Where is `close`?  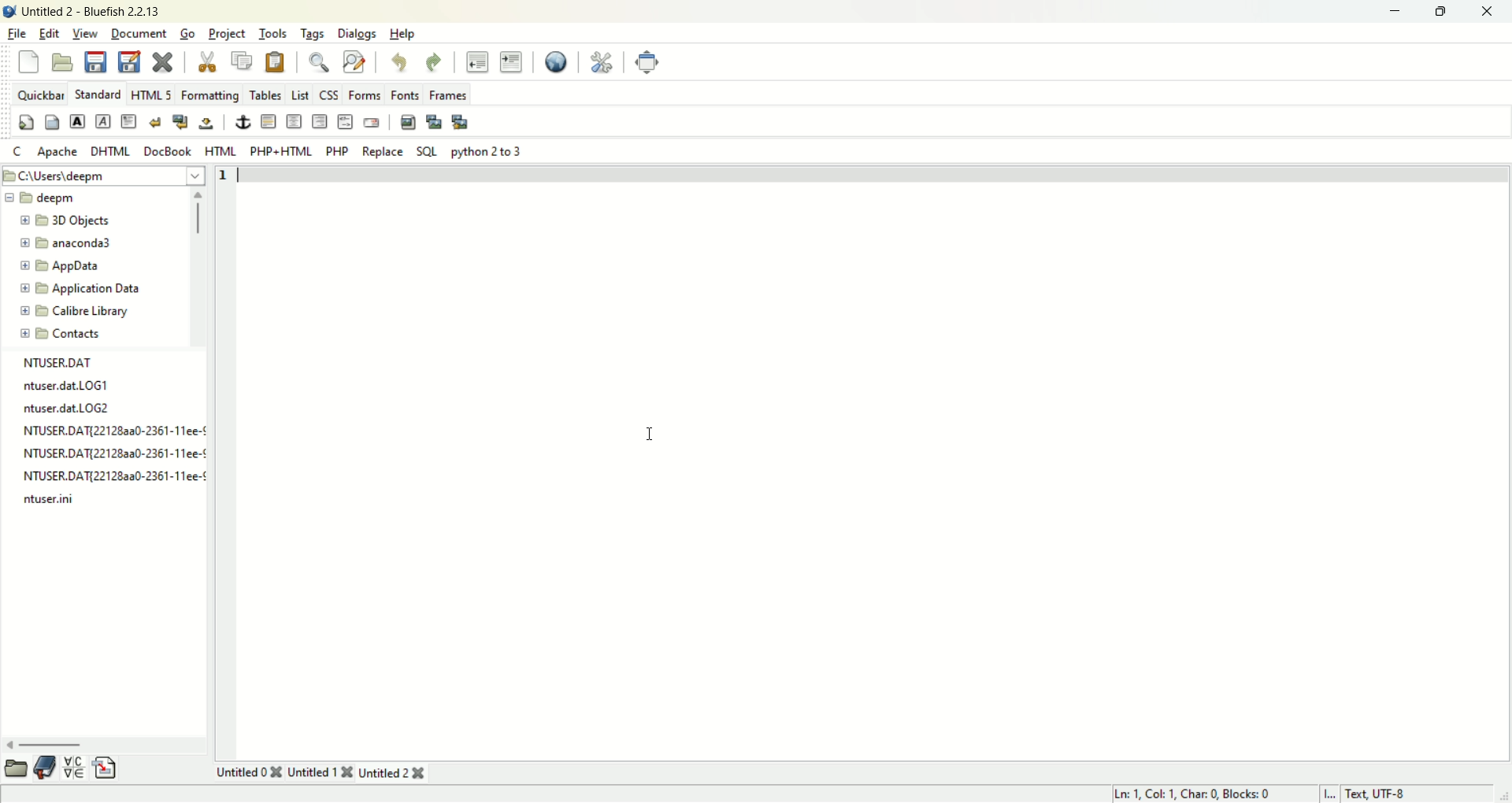 close is located at coordinates (1488, 13).